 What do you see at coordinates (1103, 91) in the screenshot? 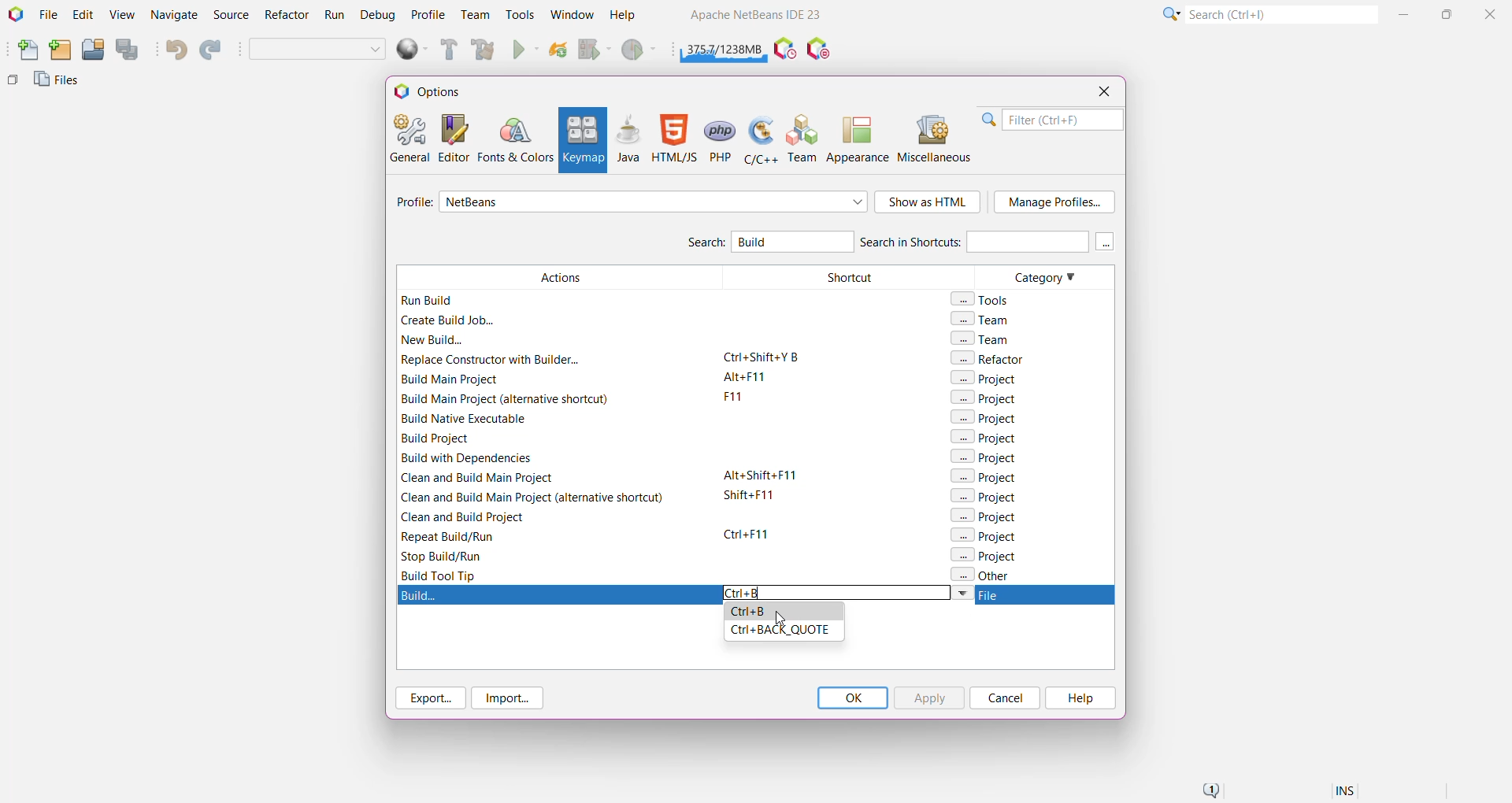
I see `Close` at bounding box center [1103, 91].